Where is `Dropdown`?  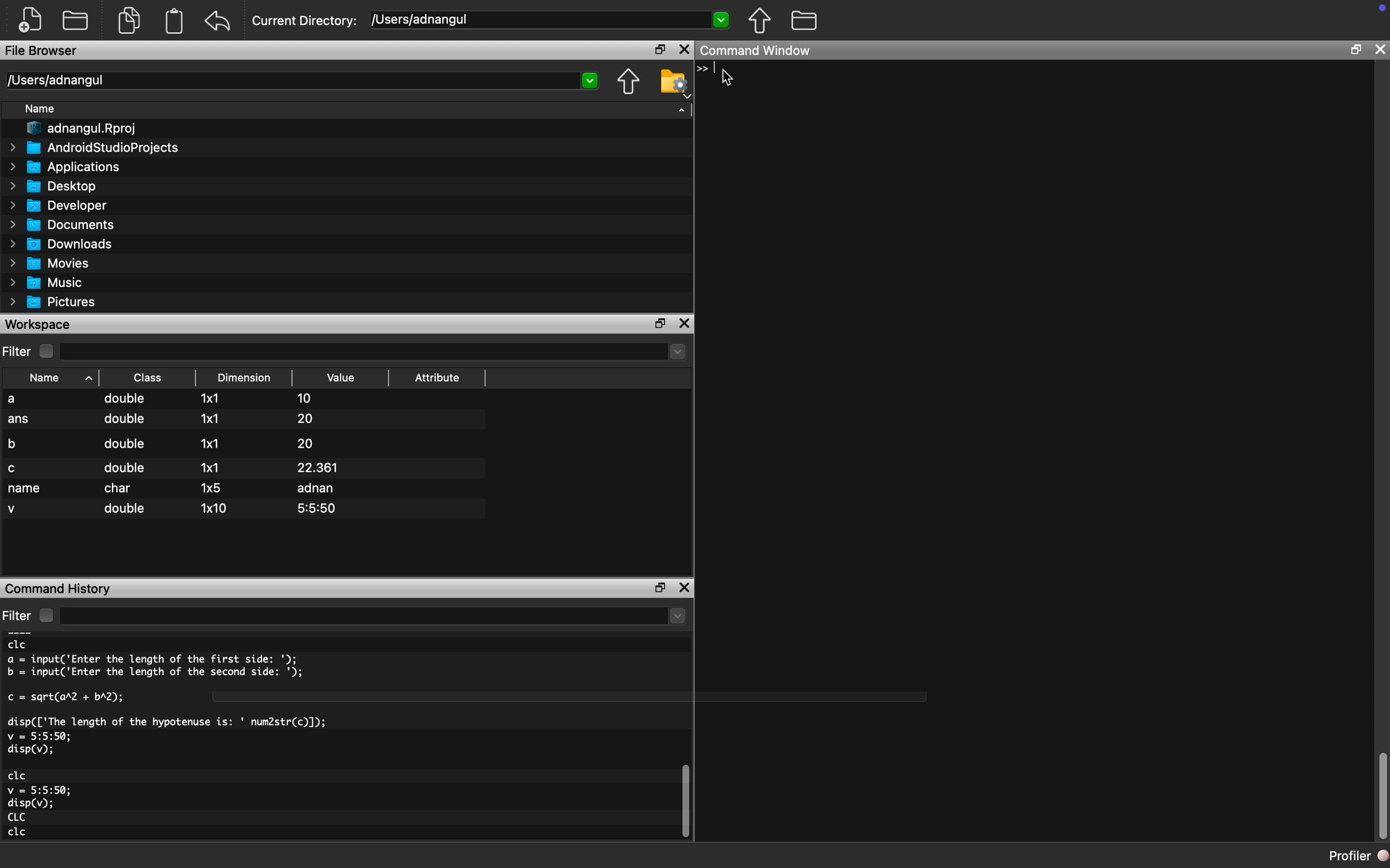
Dropdown is located at coordinates (677, 618).